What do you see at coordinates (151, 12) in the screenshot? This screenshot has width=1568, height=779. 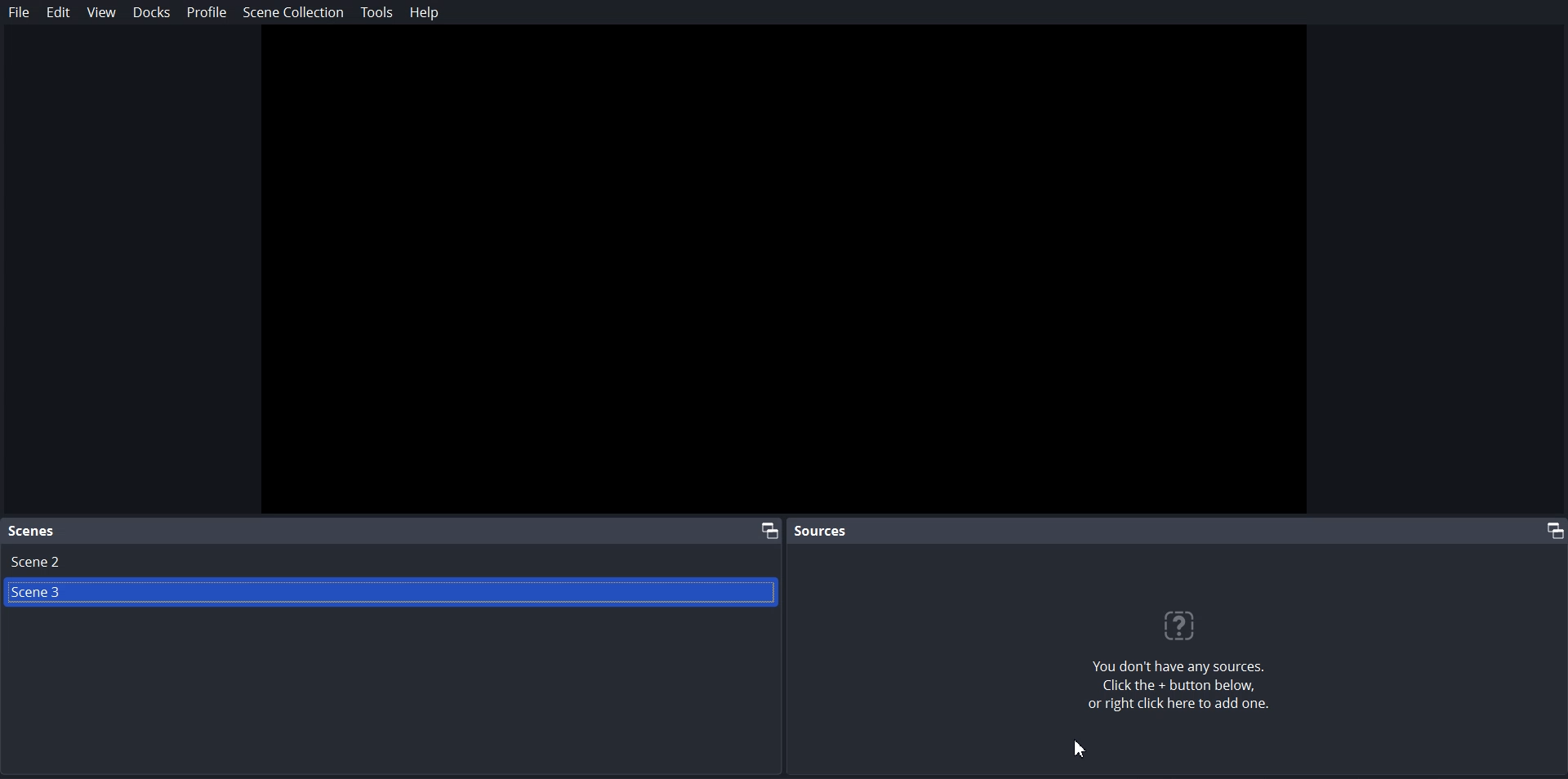 I see `Docks` at bounding box center [151, 12].